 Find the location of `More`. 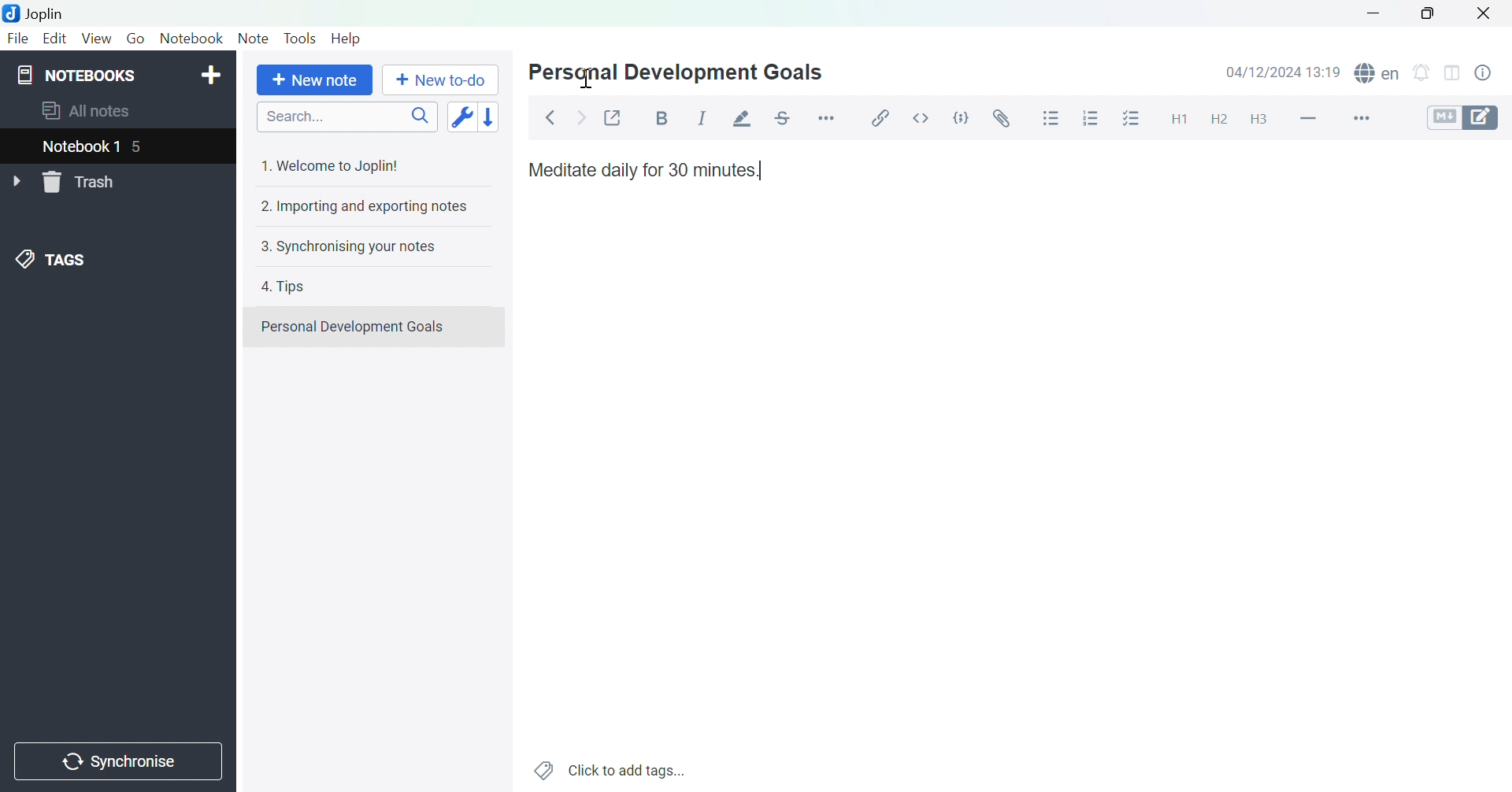

More is located at coordinates (1367, 118).